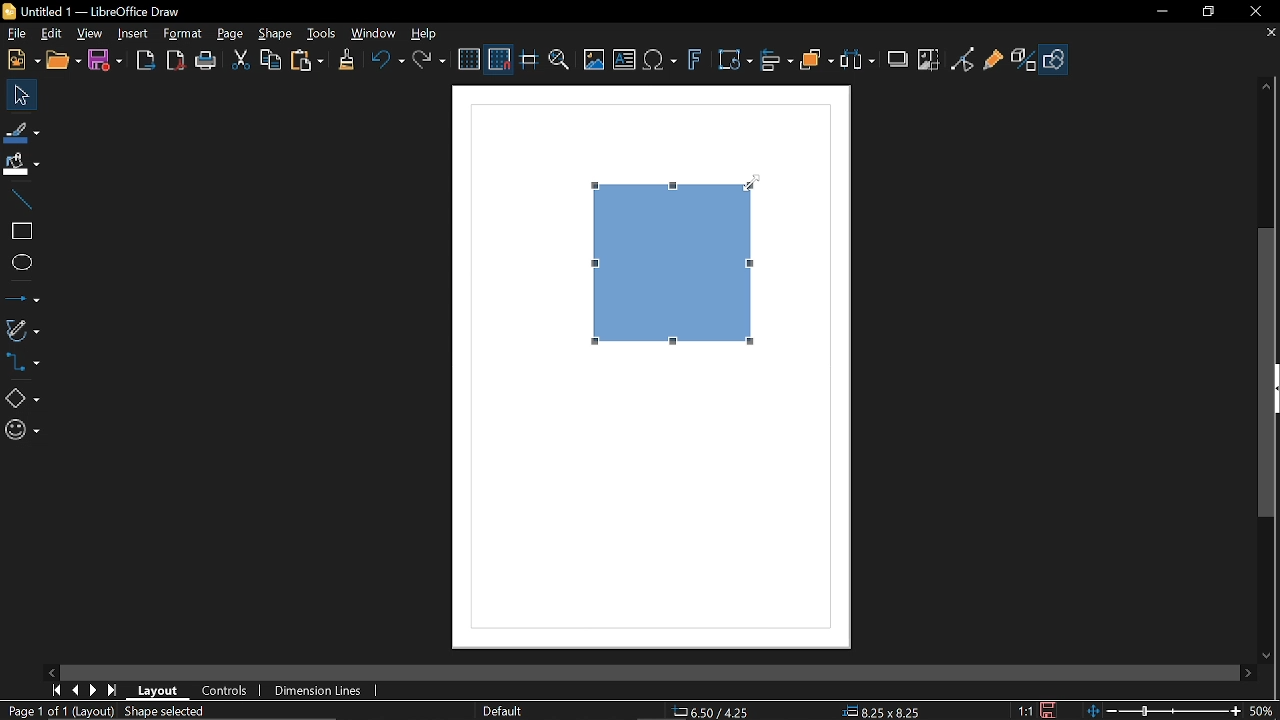 This screenshot has width=1280, height=720. Describe the element at coordinates (752, 189) in the screenshot. I see `Cursor` at that location.